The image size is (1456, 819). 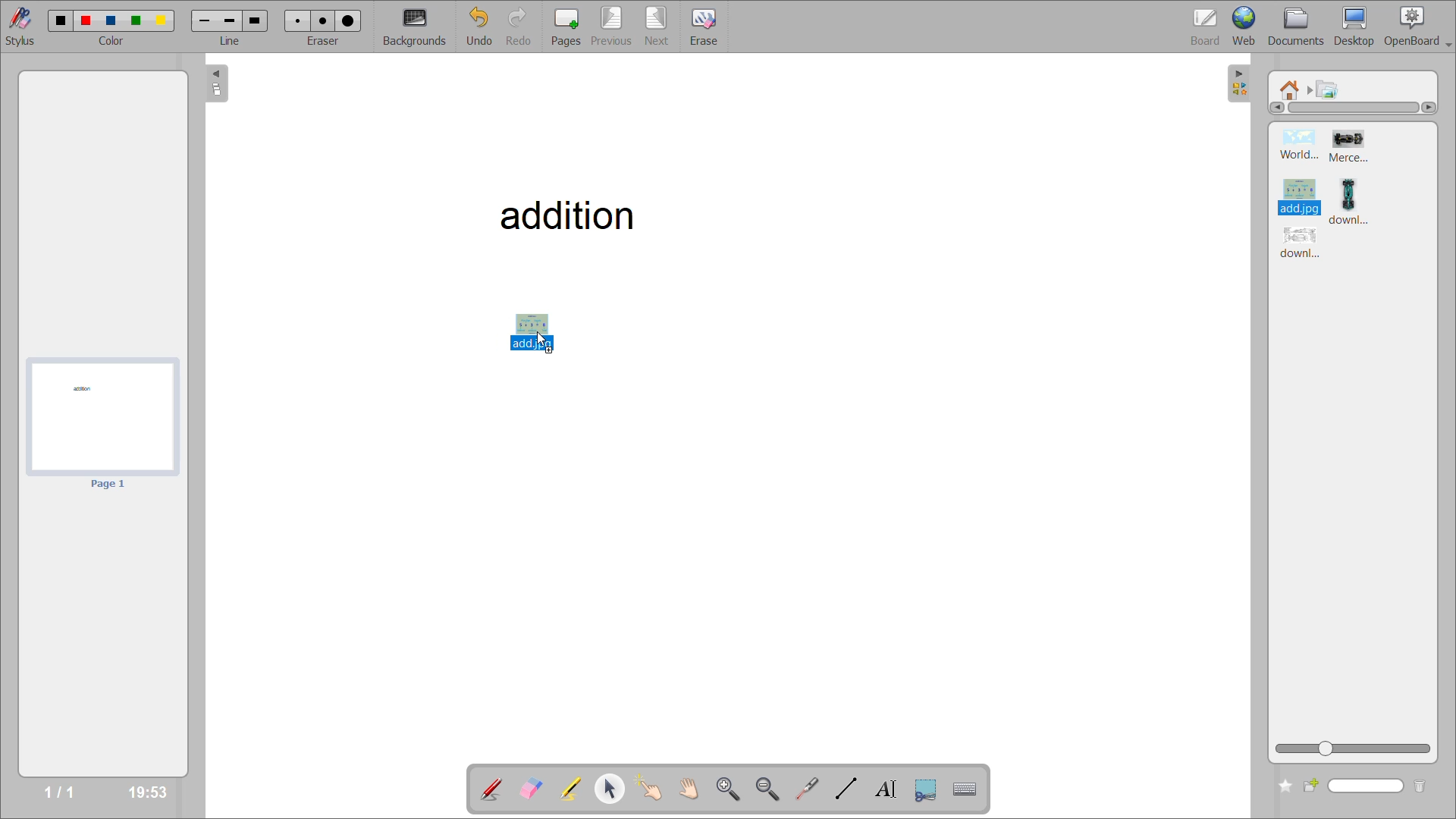 What do you see at coordinates (1302, 245) in the screenshot?
I see `image 5` at bounding box center [1302, 245].